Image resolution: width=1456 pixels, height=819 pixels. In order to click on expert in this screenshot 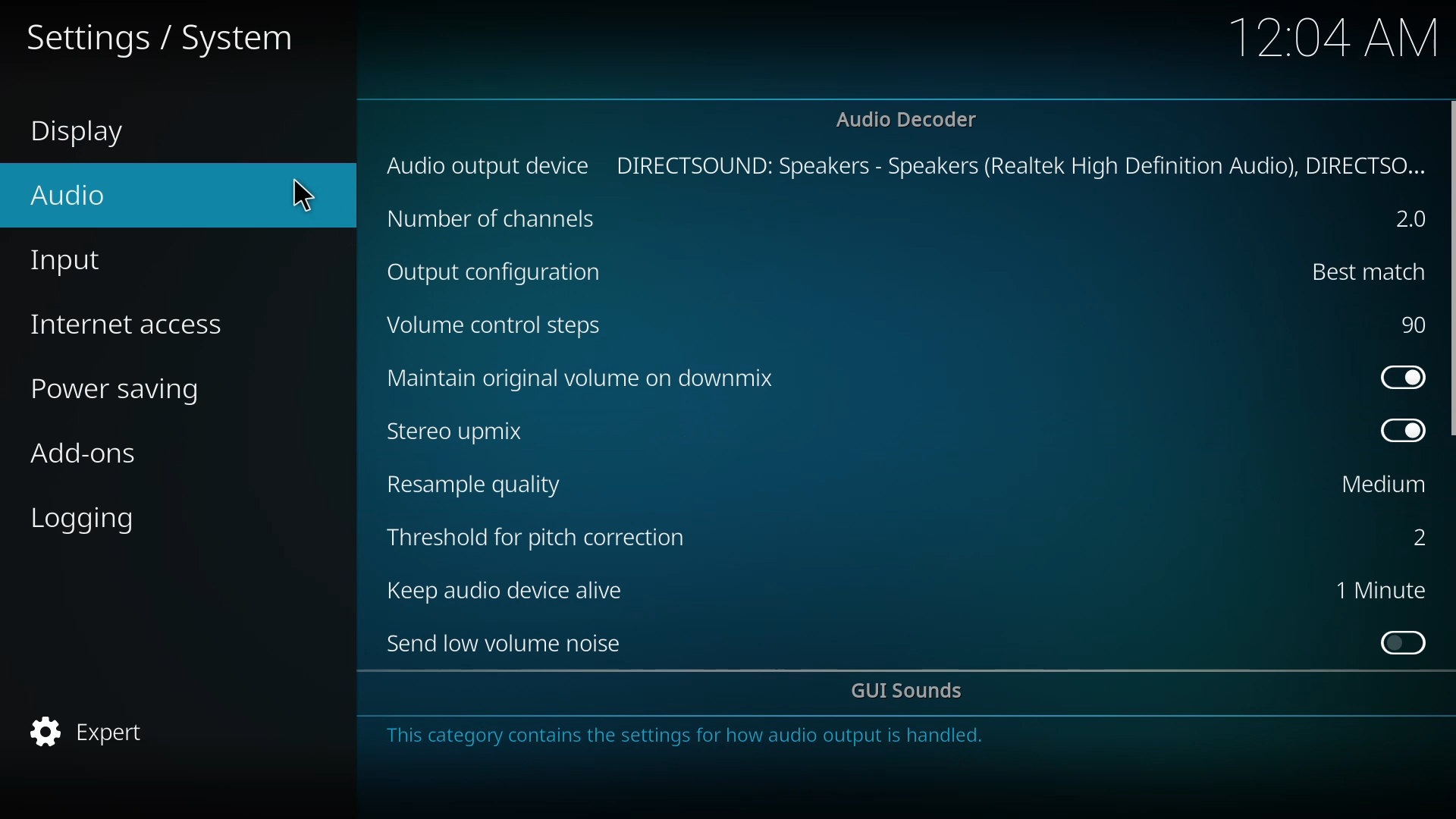, I will do `click(96, 729)`.